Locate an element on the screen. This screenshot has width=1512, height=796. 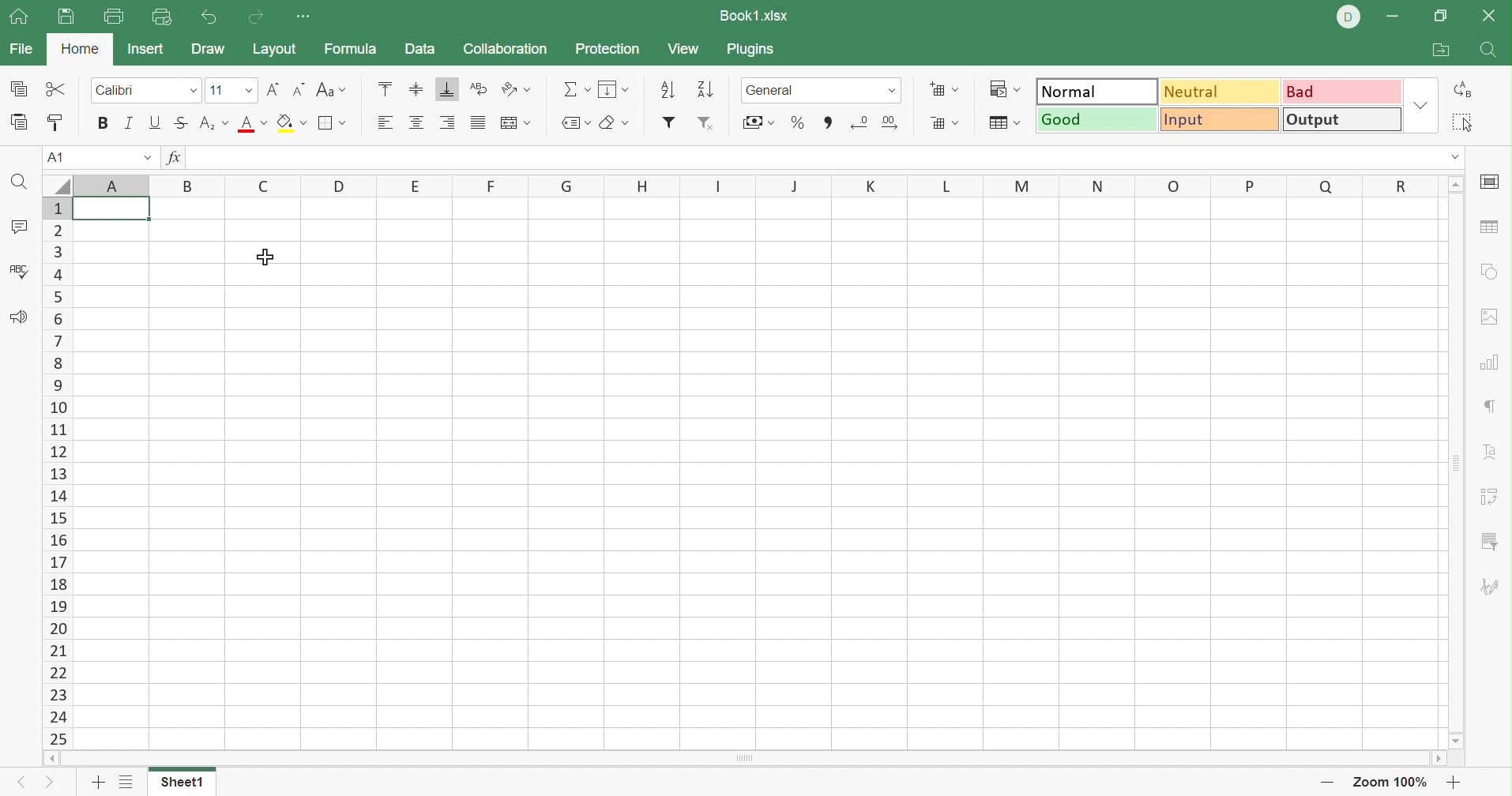
Protection is located at coordinates (605, 47).